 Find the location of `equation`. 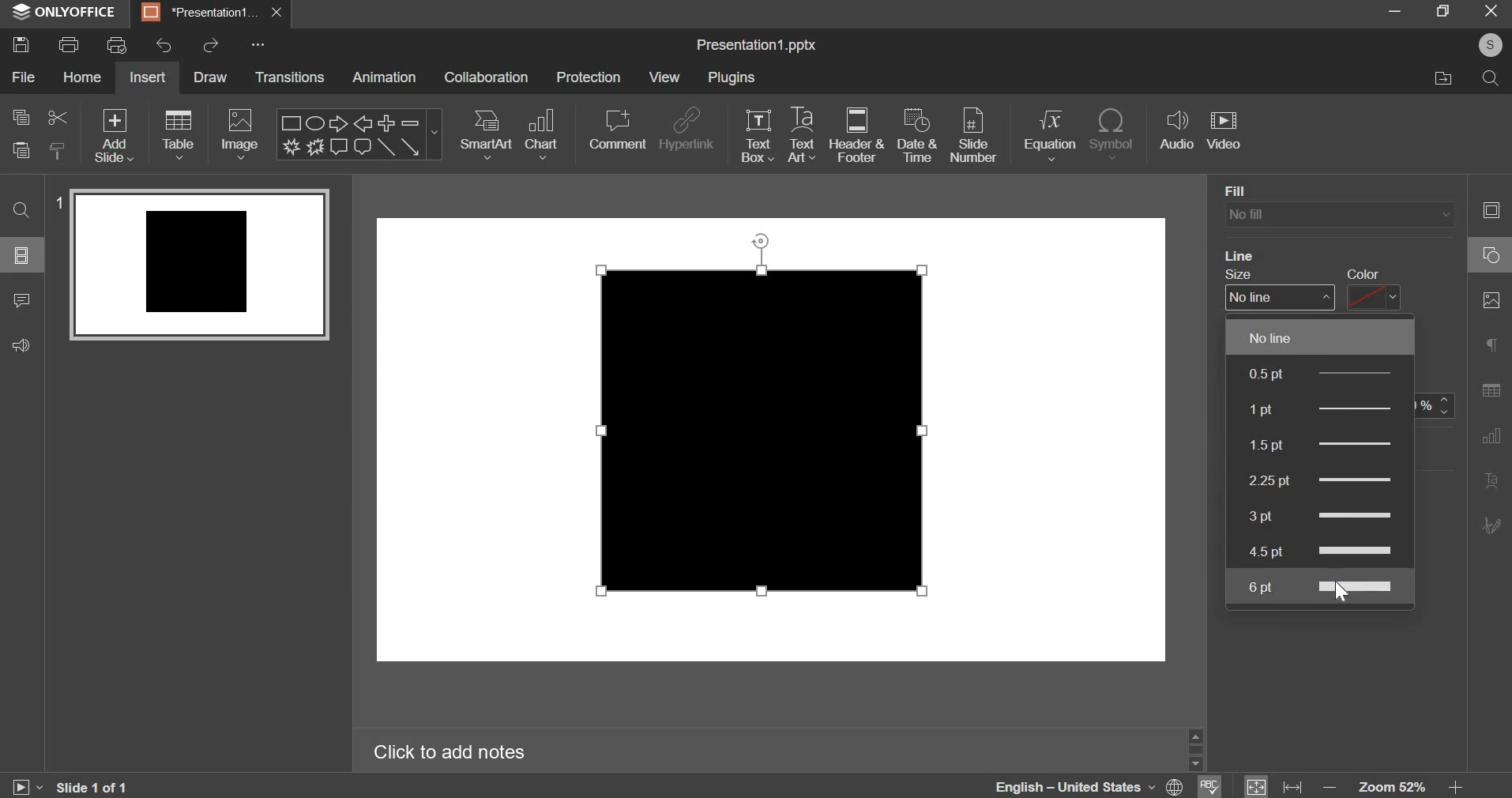

equation is located at coordinates (1050, 135).